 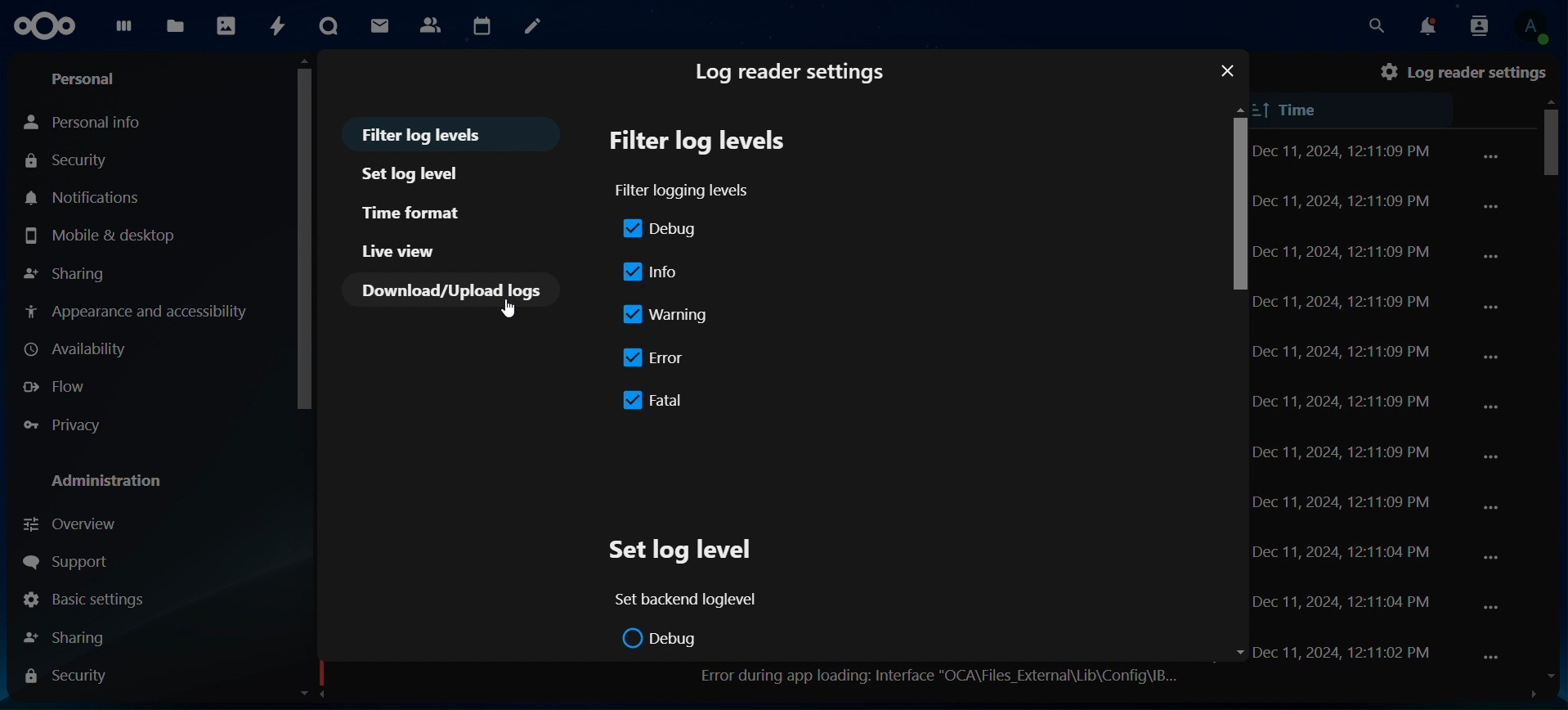 I want to click on administration, so click(x=114, y=481).